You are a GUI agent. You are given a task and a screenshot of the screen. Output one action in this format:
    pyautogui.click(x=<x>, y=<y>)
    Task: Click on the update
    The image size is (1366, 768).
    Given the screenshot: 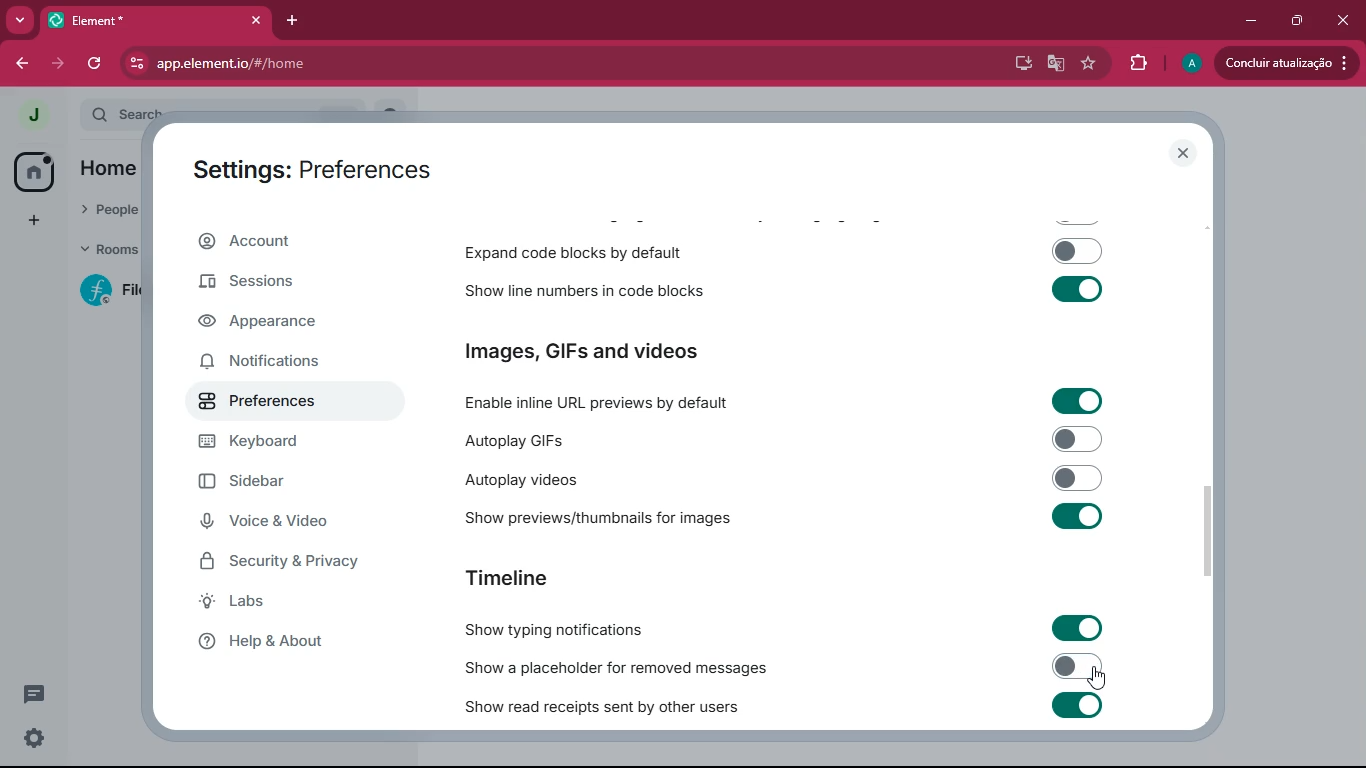 What is the action you would take?
    pyautogui.click(x=1286, y=61)
    